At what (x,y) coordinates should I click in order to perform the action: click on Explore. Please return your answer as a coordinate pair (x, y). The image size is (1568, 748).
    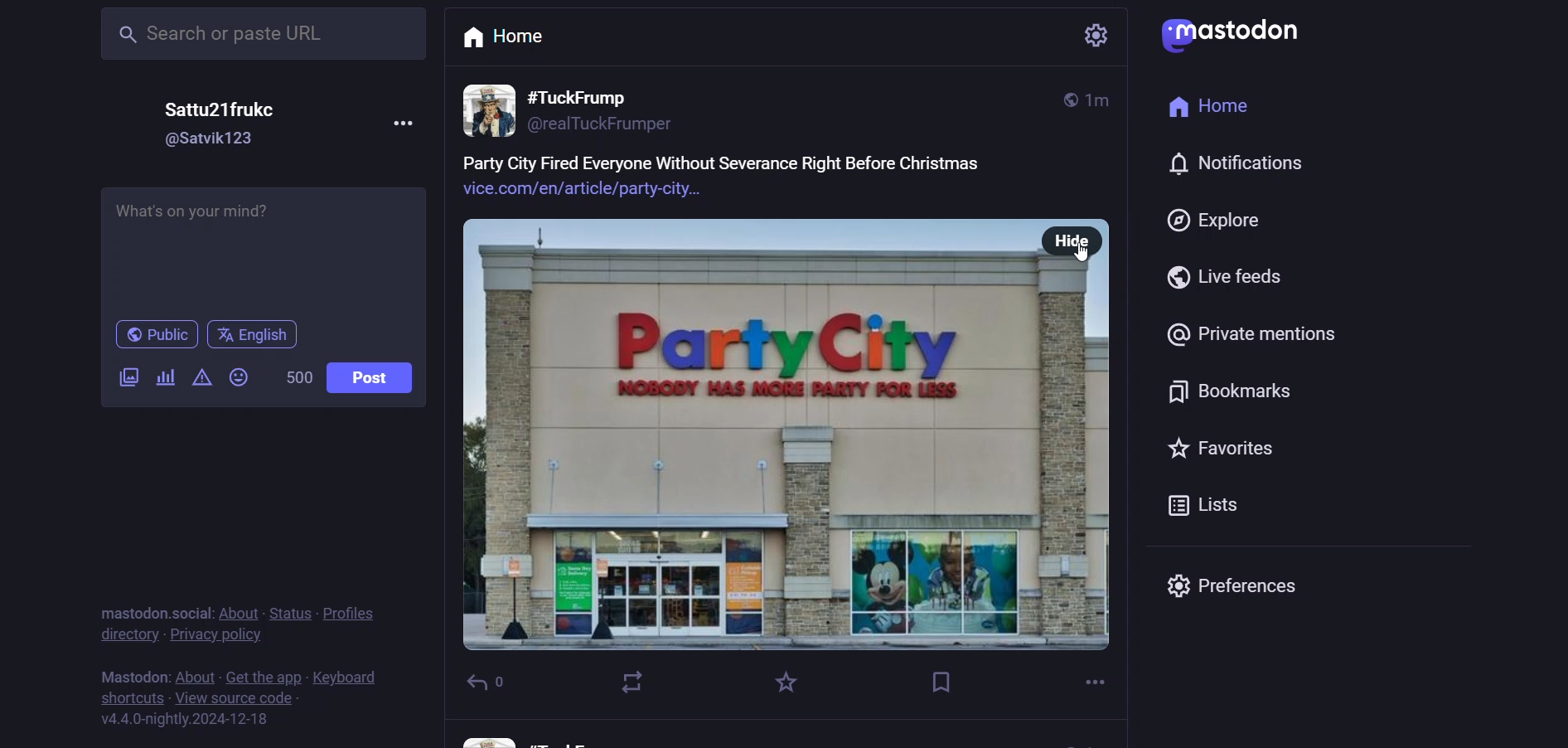
    Looking at the image, I should click on (1224, 221).